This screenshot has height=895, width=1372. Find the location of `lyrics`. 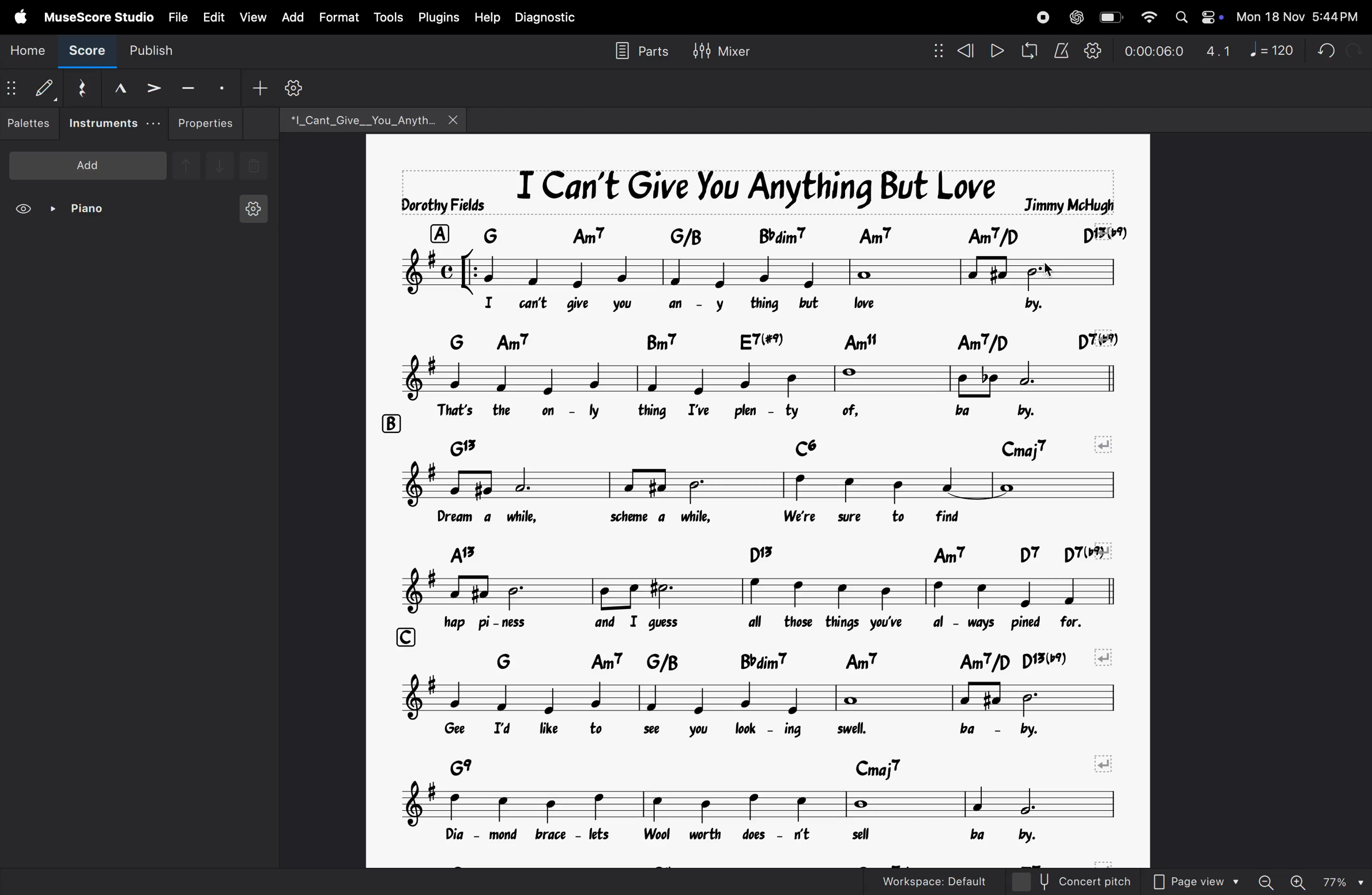

lyrics is located at coordinates (761, 840).